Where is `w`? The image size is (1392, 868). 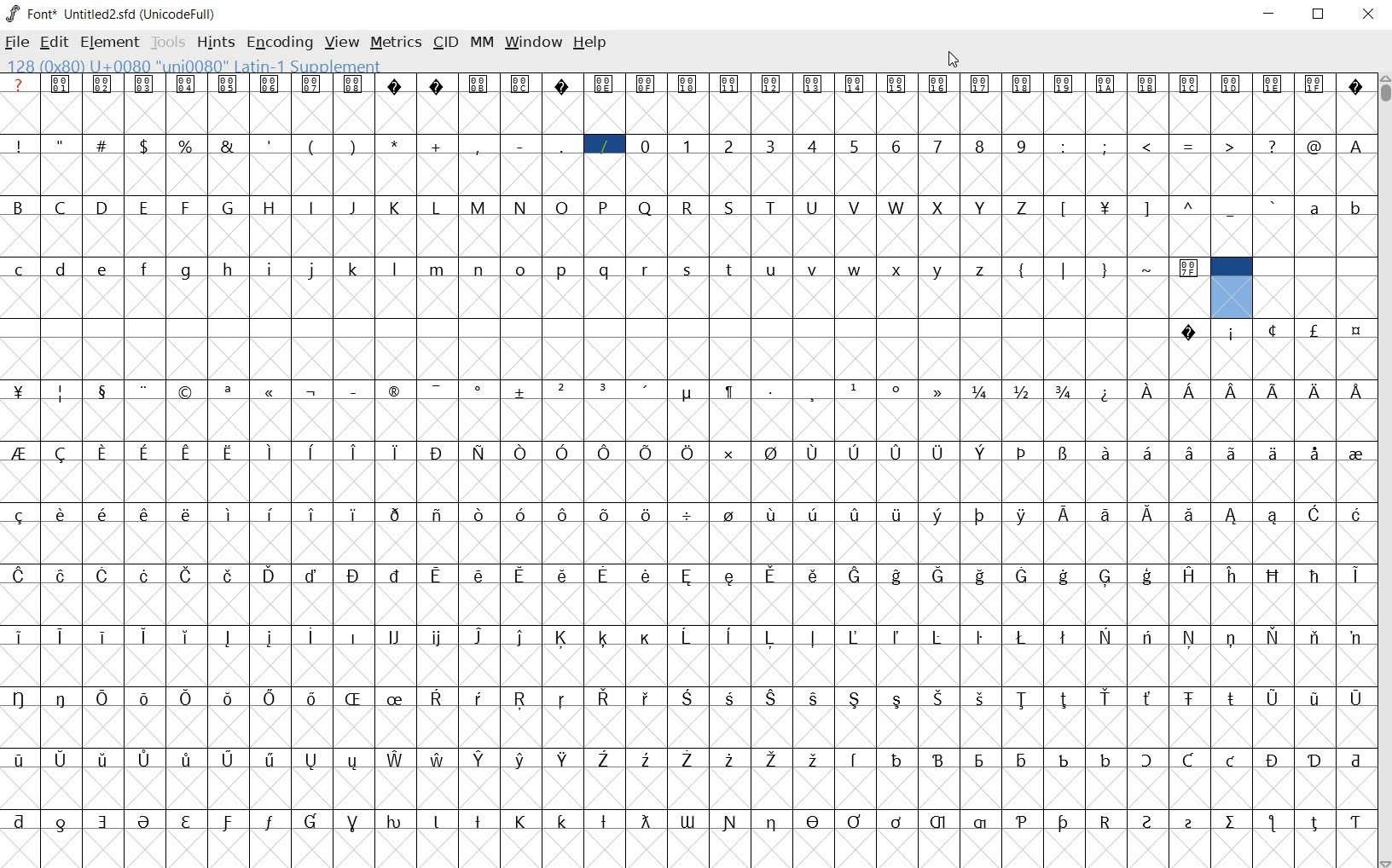 w is located at coordinates (855, 268).